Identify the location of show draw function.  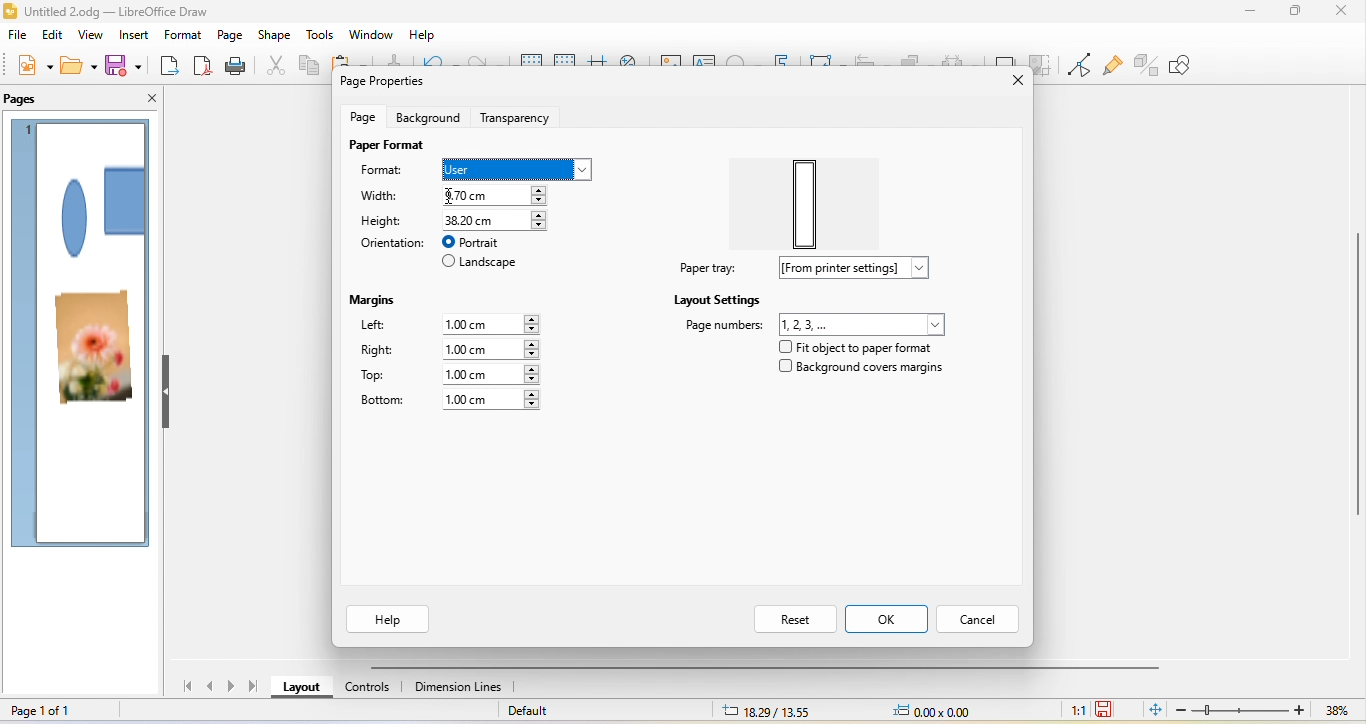
(1192, 67).